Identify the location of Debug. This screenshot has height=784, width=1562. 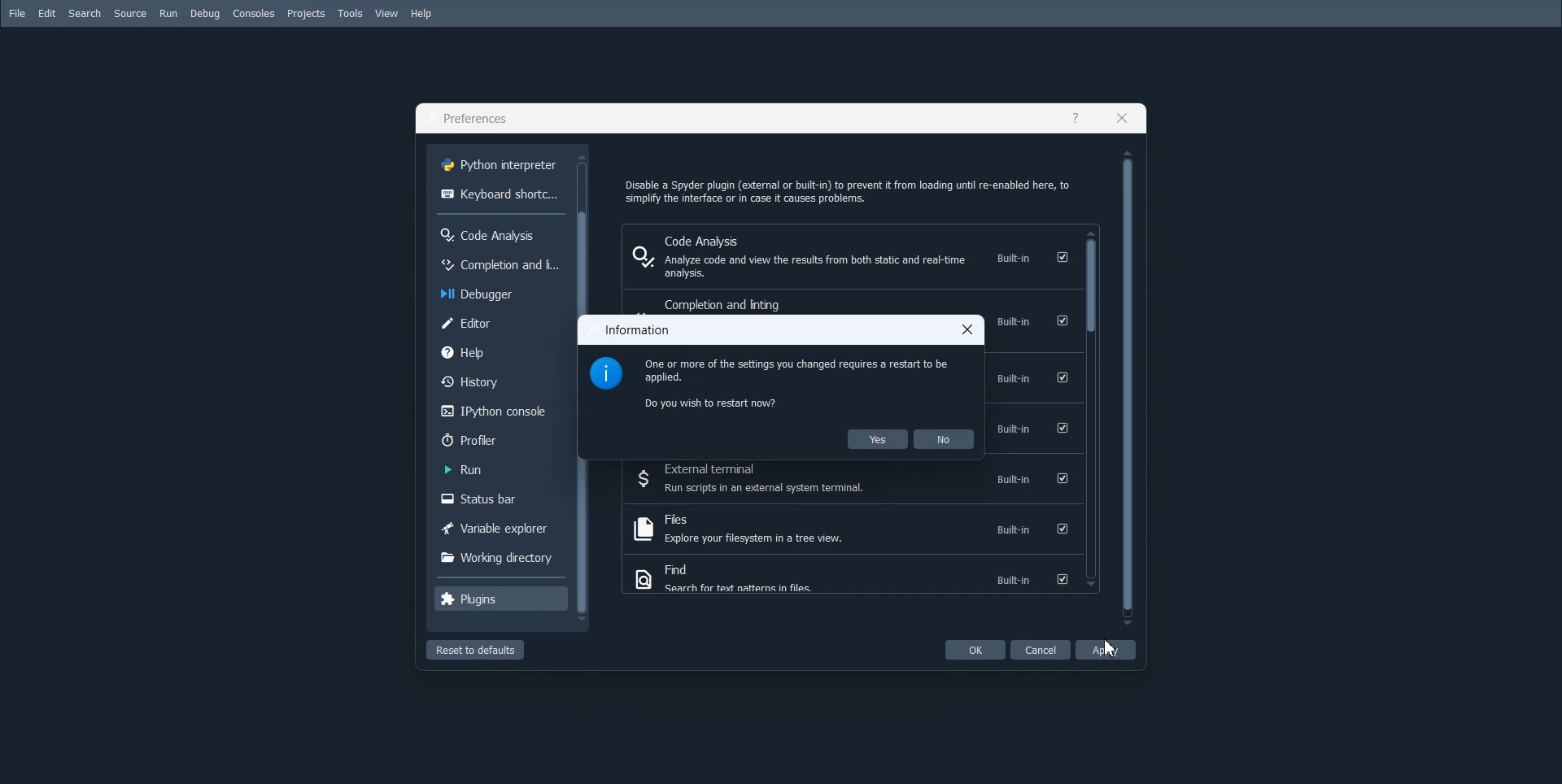
(206, 14).